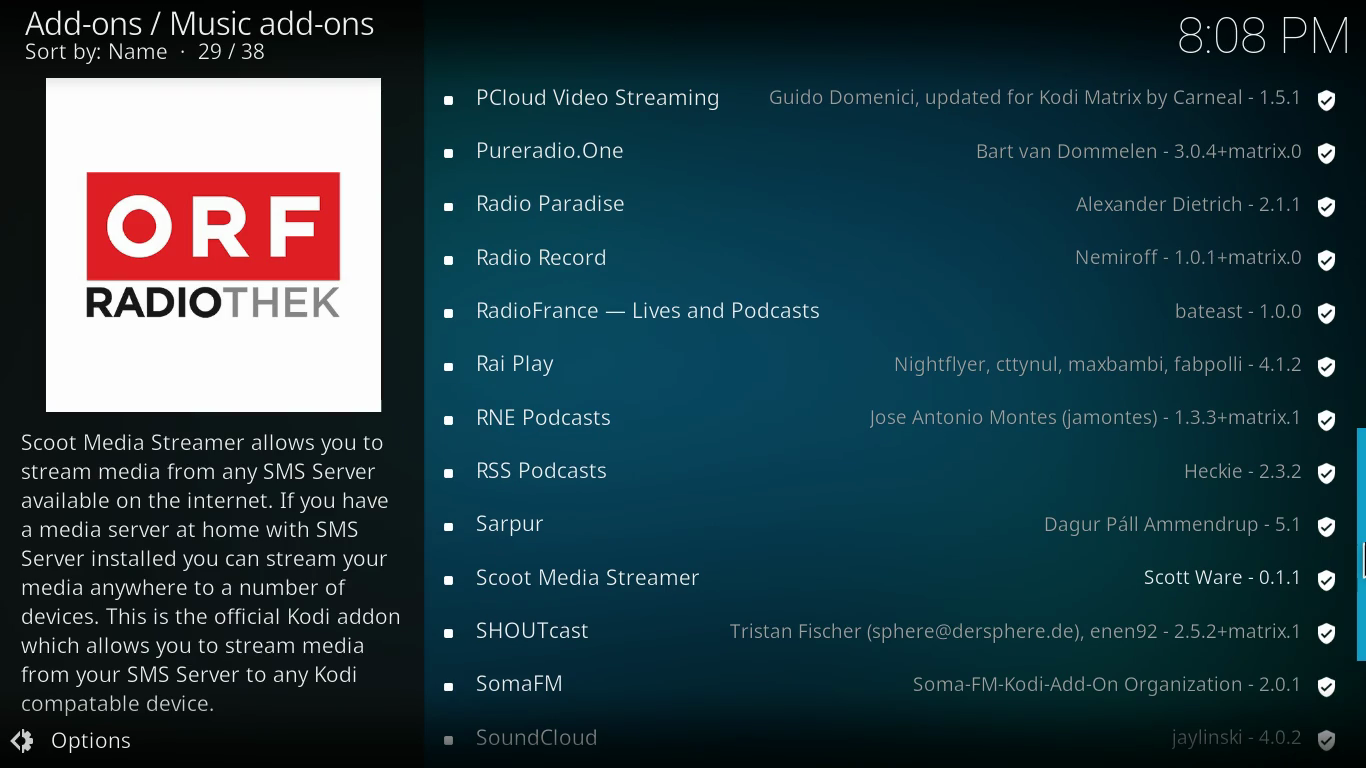  What do you see at coordinates (1187, 525) in the screenshot?
I see `provider` at bounding box center [1187, 525].